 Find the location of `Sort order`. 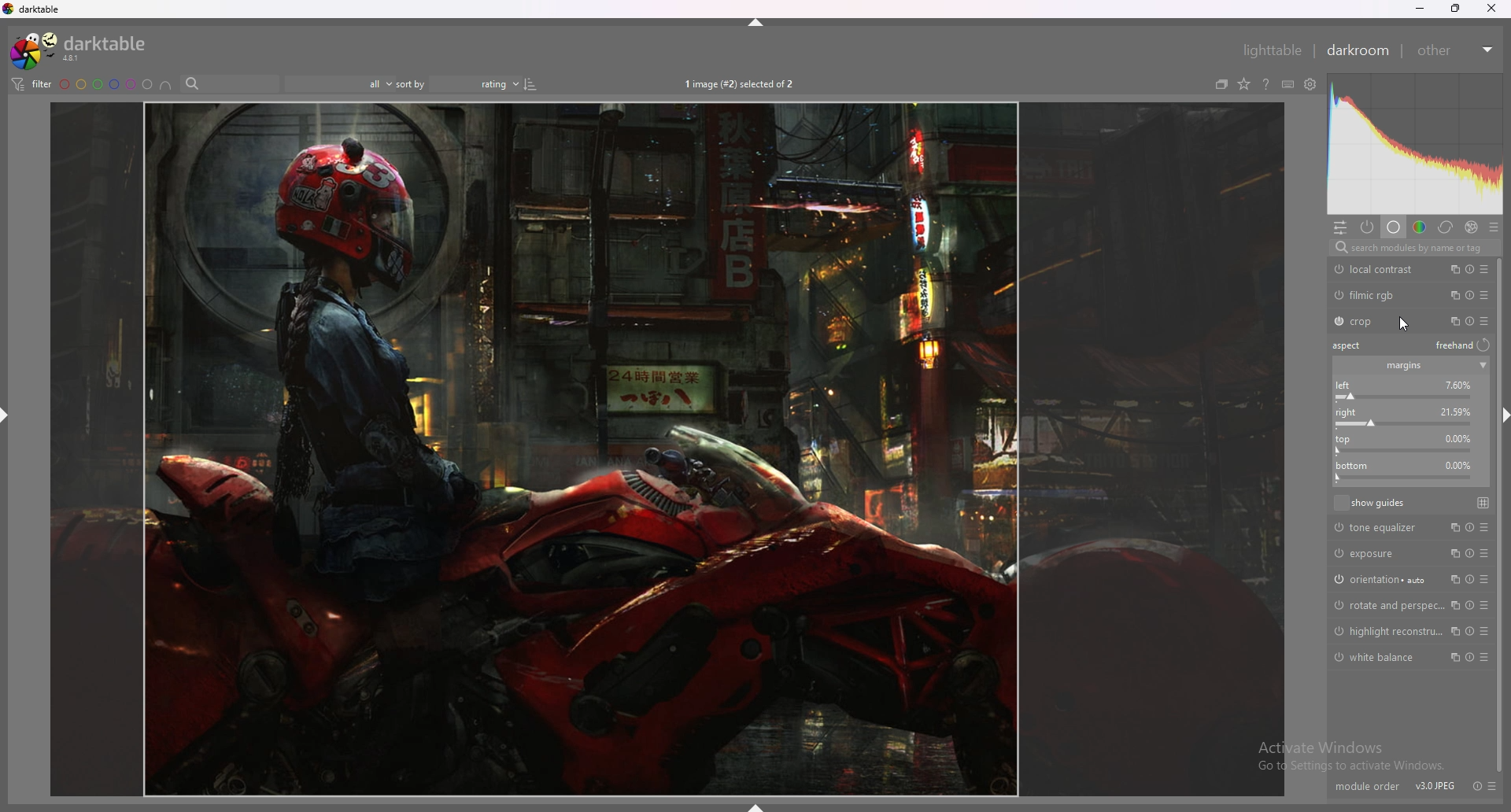

Sort order is located at coordinates (485, 83).